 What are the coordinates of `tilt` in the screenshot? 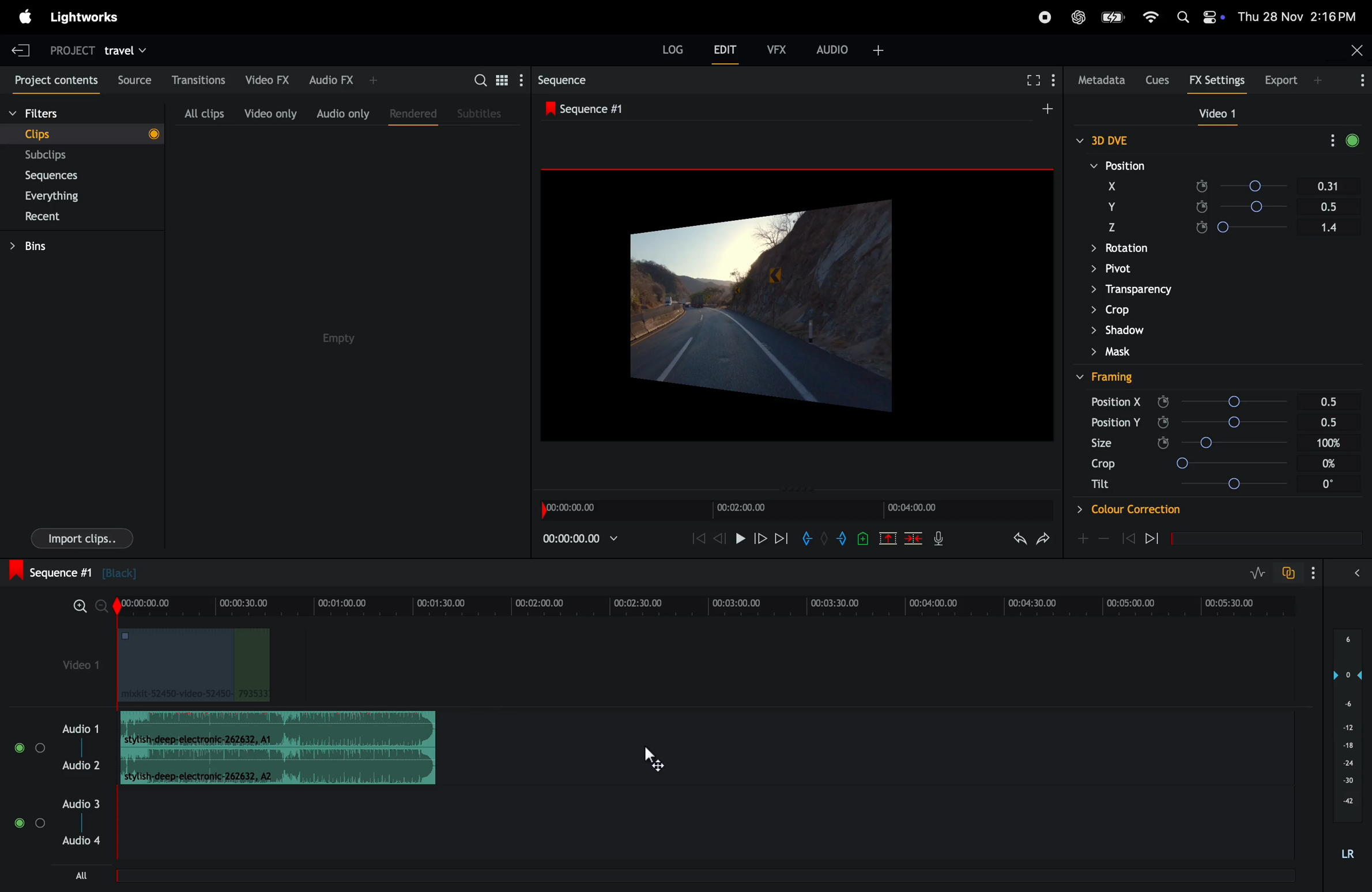 It's located at (1197, 250).